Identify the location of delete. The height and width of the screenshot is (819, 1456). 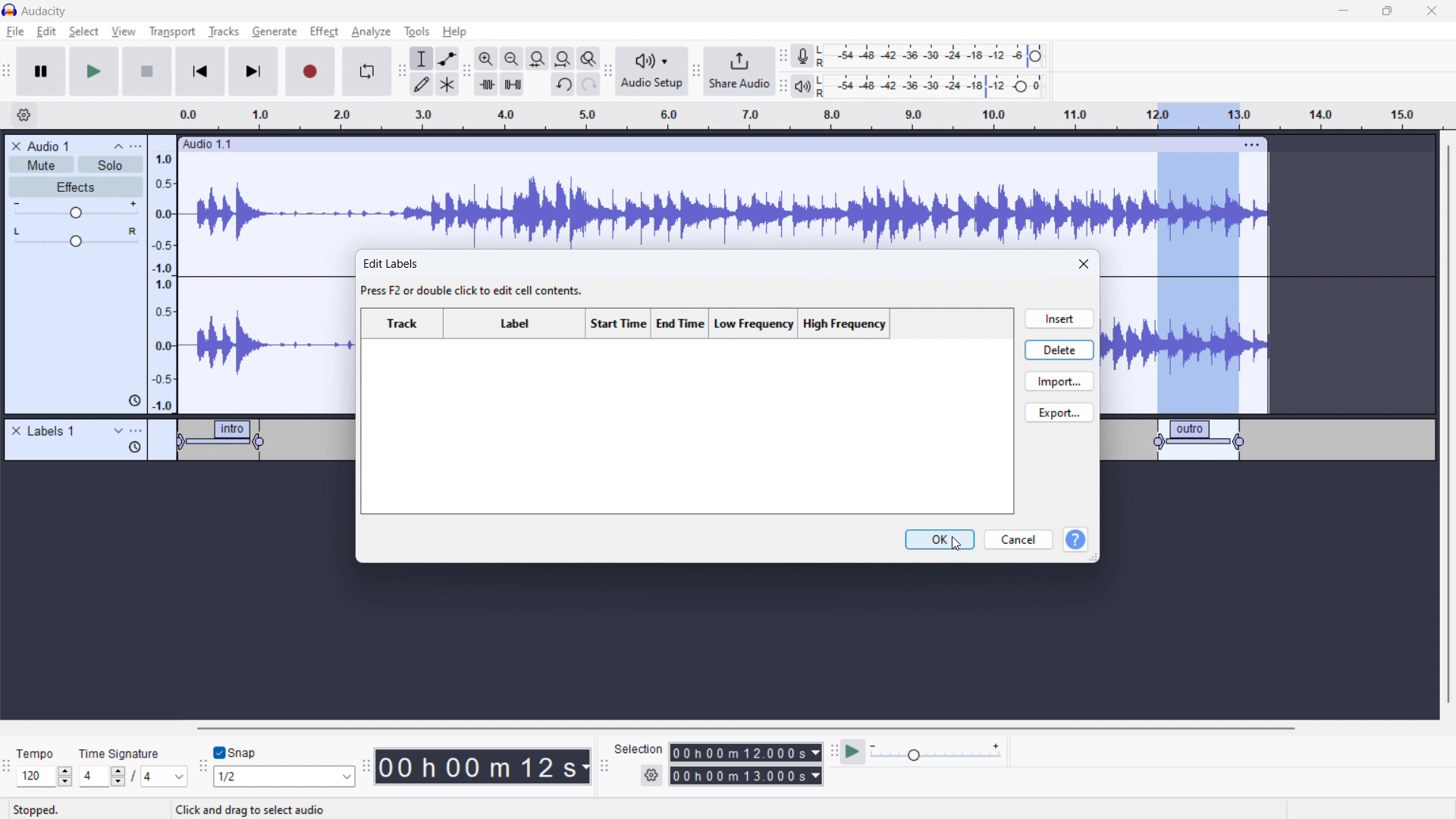
(1059, 349).